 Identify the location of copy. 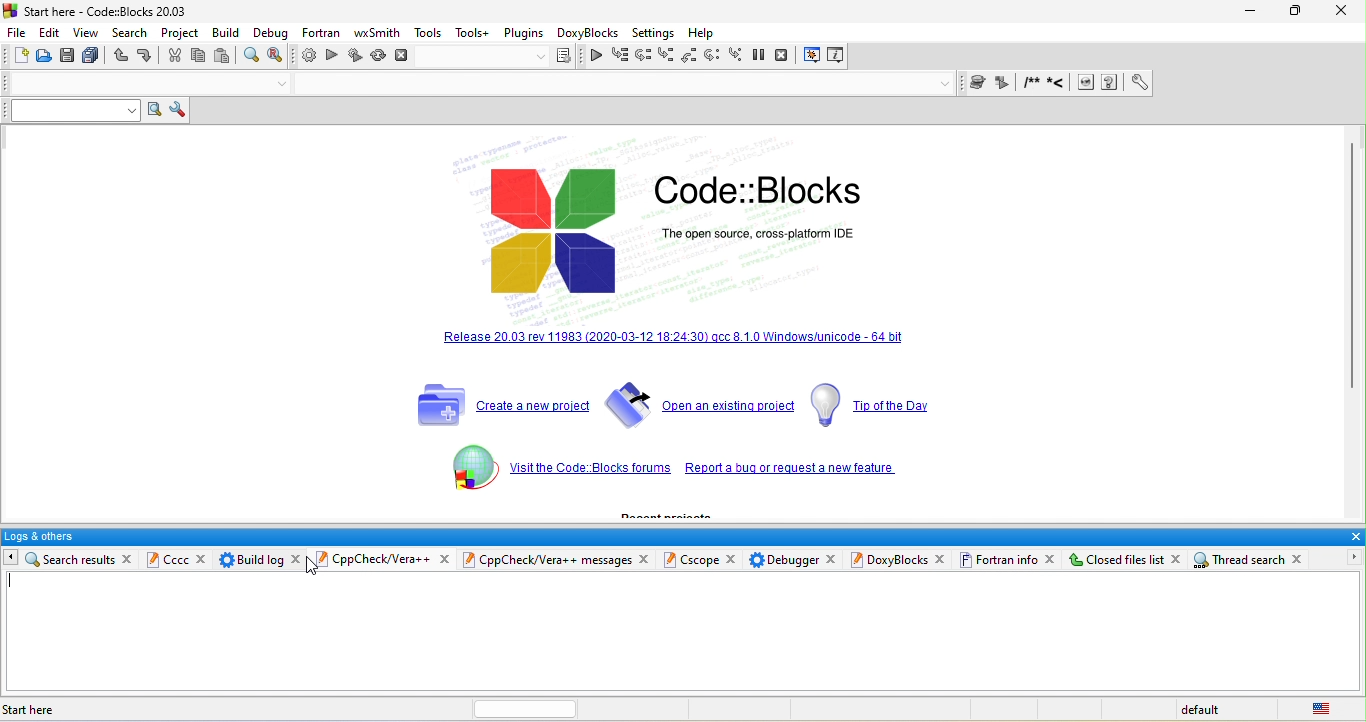
(198, 57).